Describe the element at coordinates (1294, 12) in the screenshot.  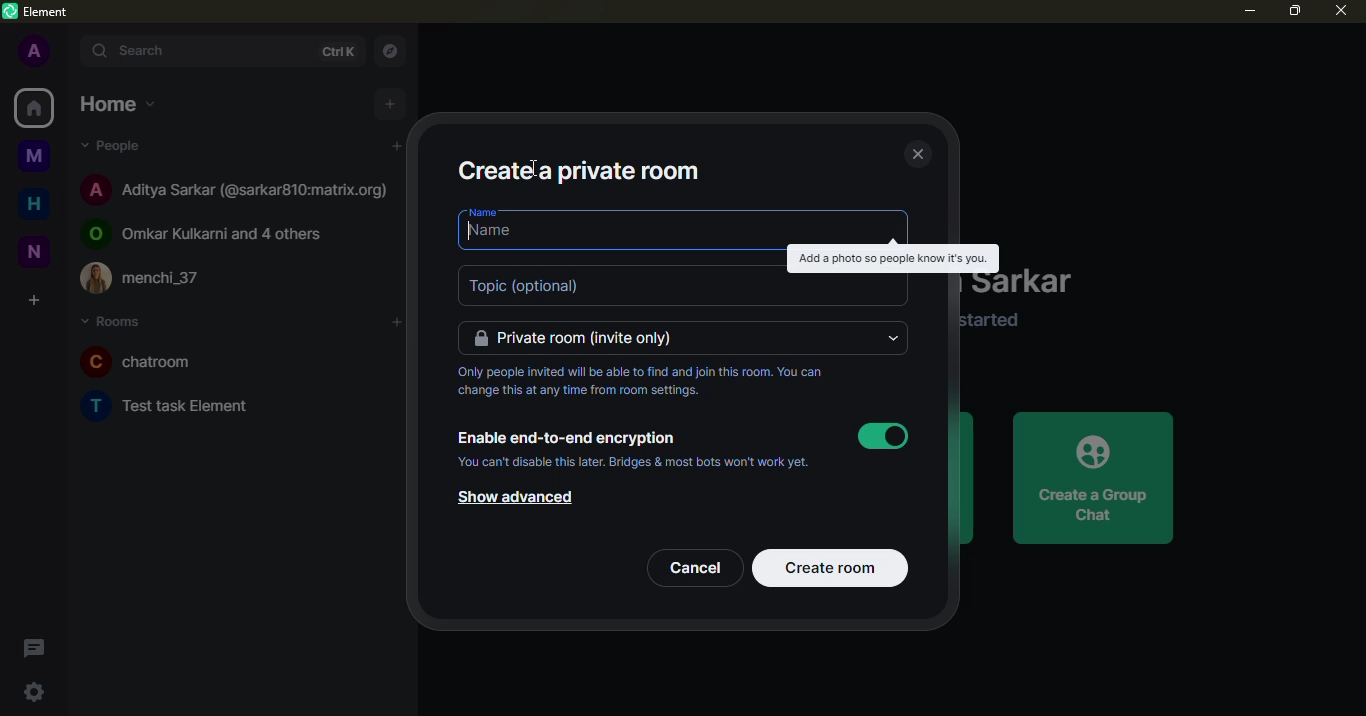
I see `maximize` at that location.